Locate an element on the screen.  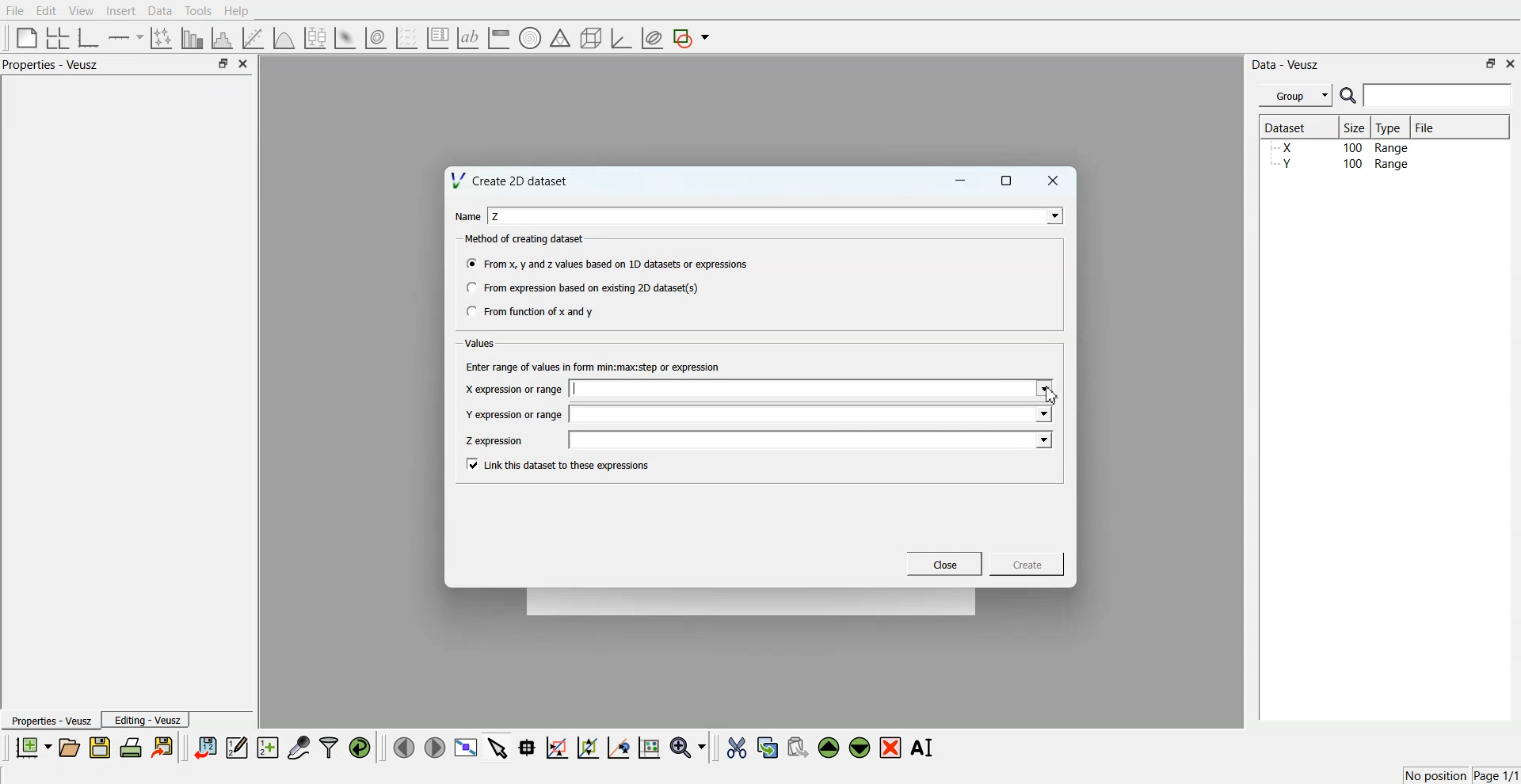
~~ Enter range of values in form min:max:step or expression is located at coordinates (593, 366).